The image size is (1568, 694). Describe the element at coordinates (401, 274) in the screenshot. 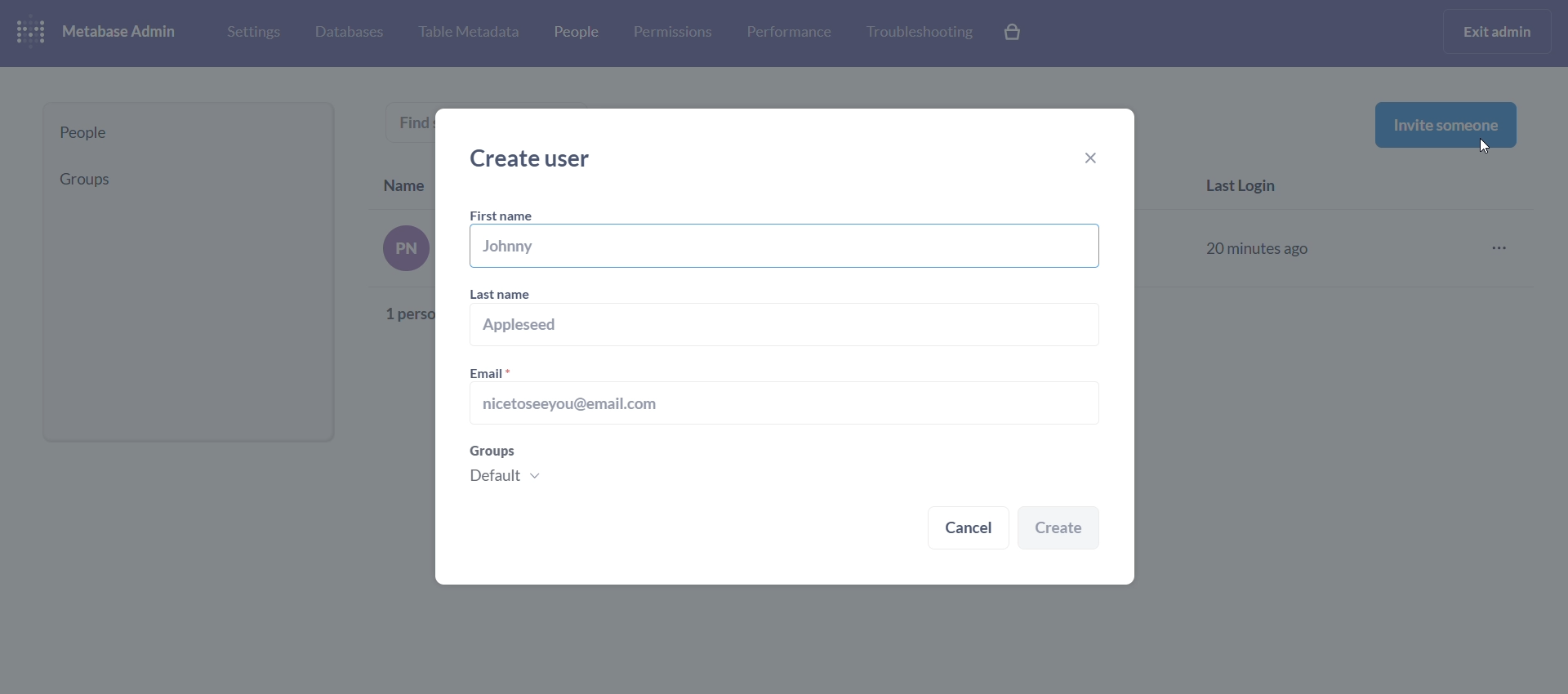

I see `text` at that location.